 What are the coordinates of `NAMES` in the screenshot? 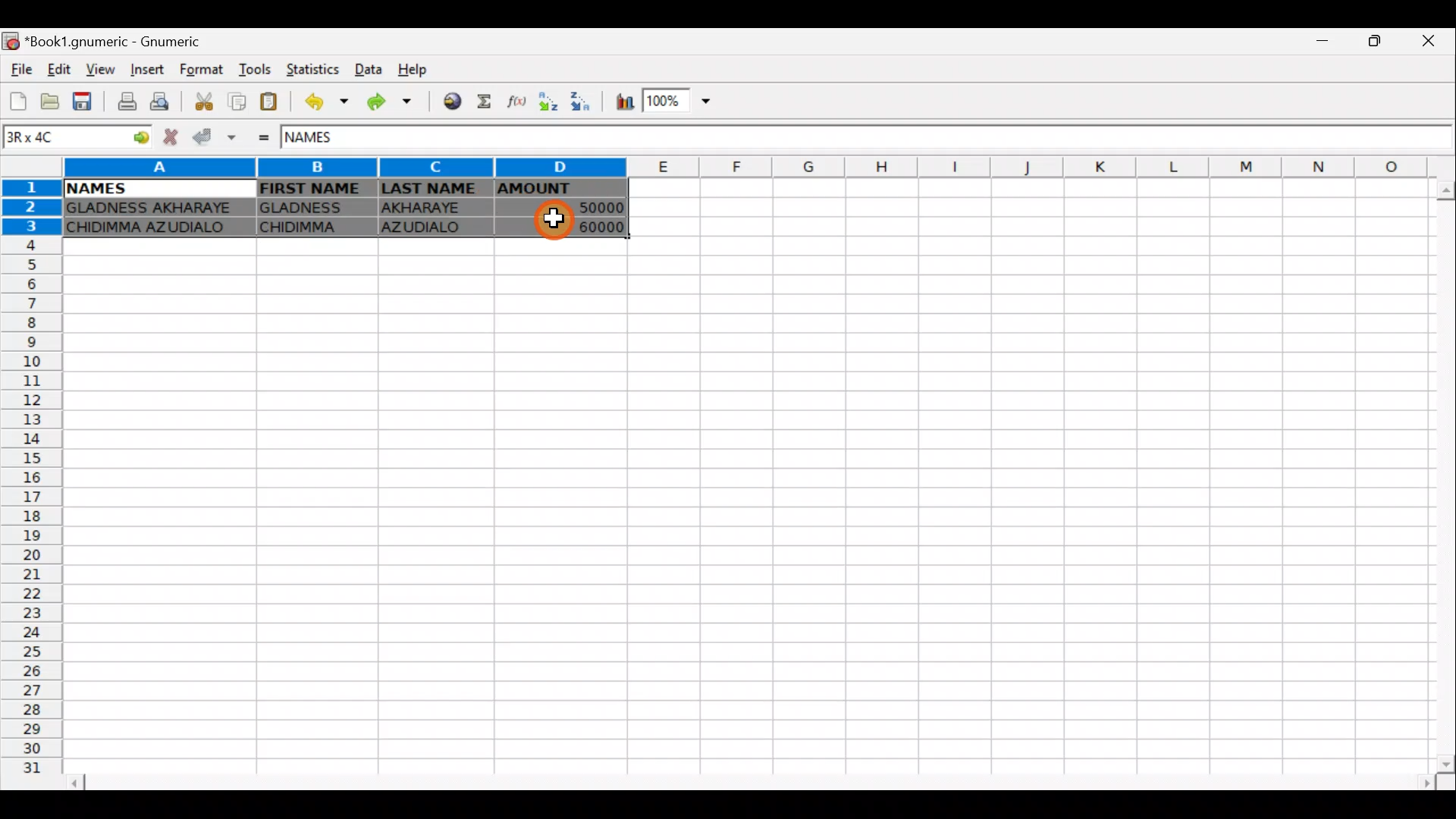 It's located at (95, 189).